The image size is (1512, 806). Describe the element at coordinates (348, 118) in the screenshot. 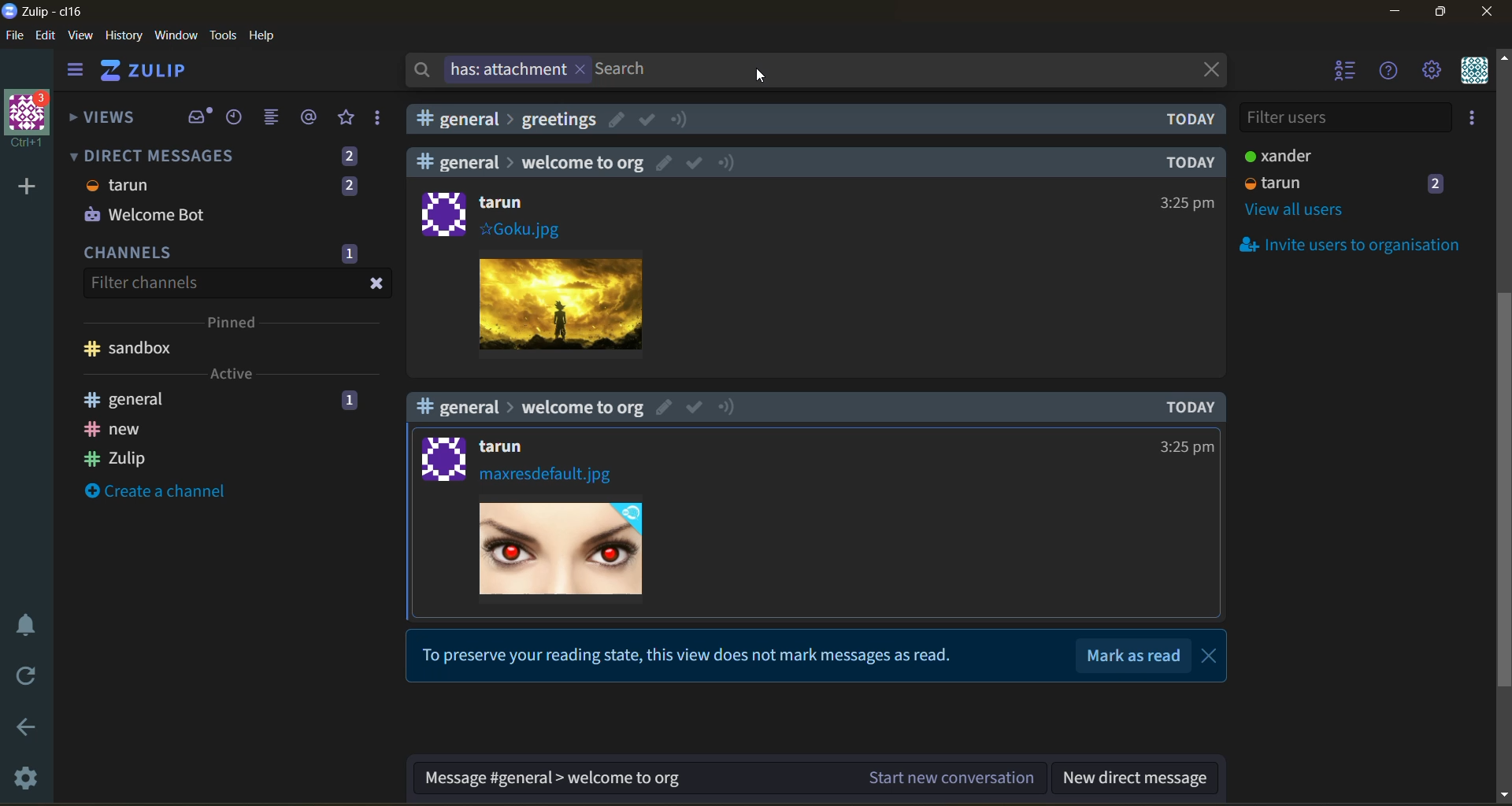

I see `favorites` at that location.